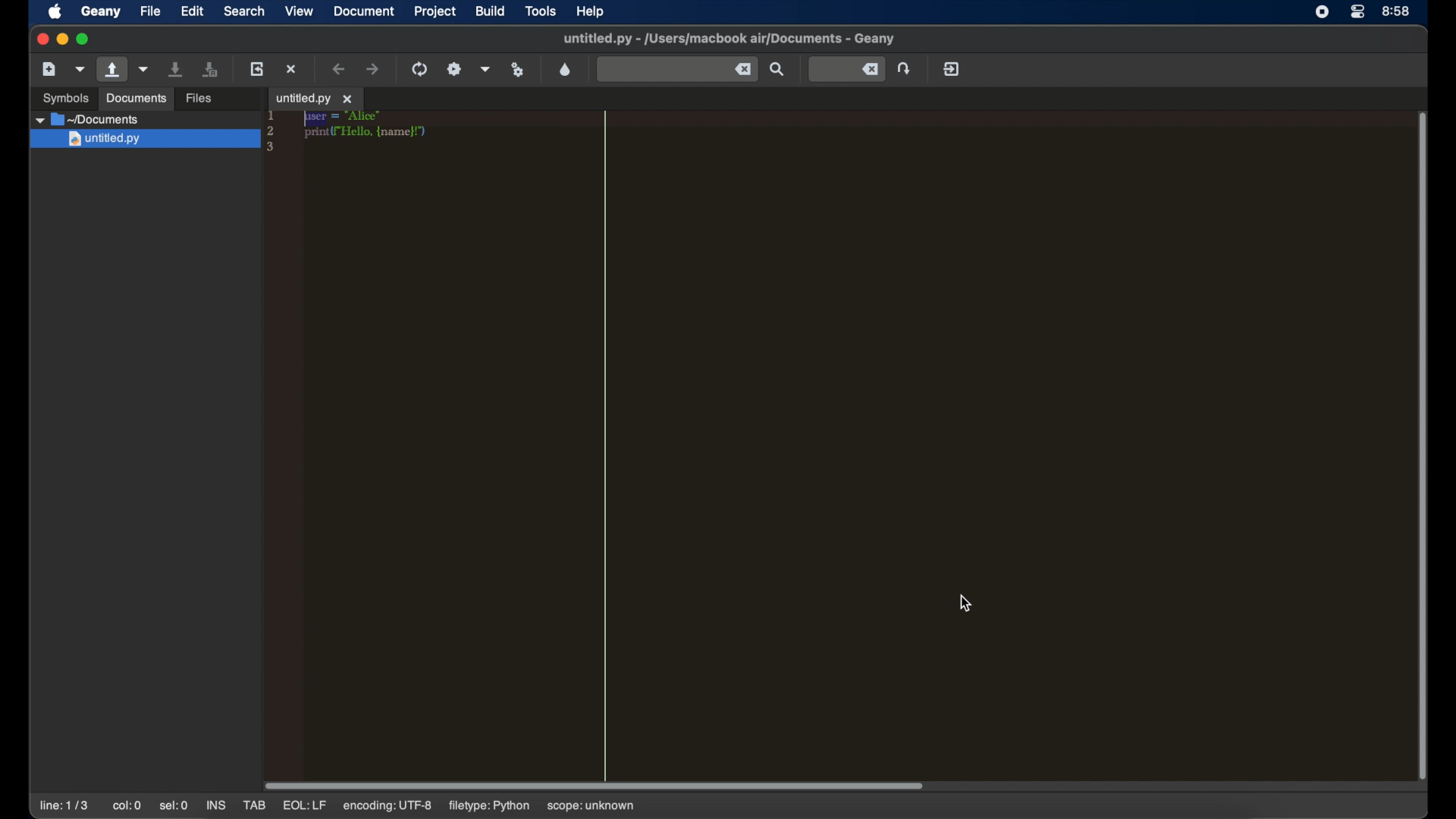 The height and width of the screenshot is (819, 1456). What do you see at coordinates (215, 805) in the screenshot?
I see `ins` at bounding box center [215, 805].